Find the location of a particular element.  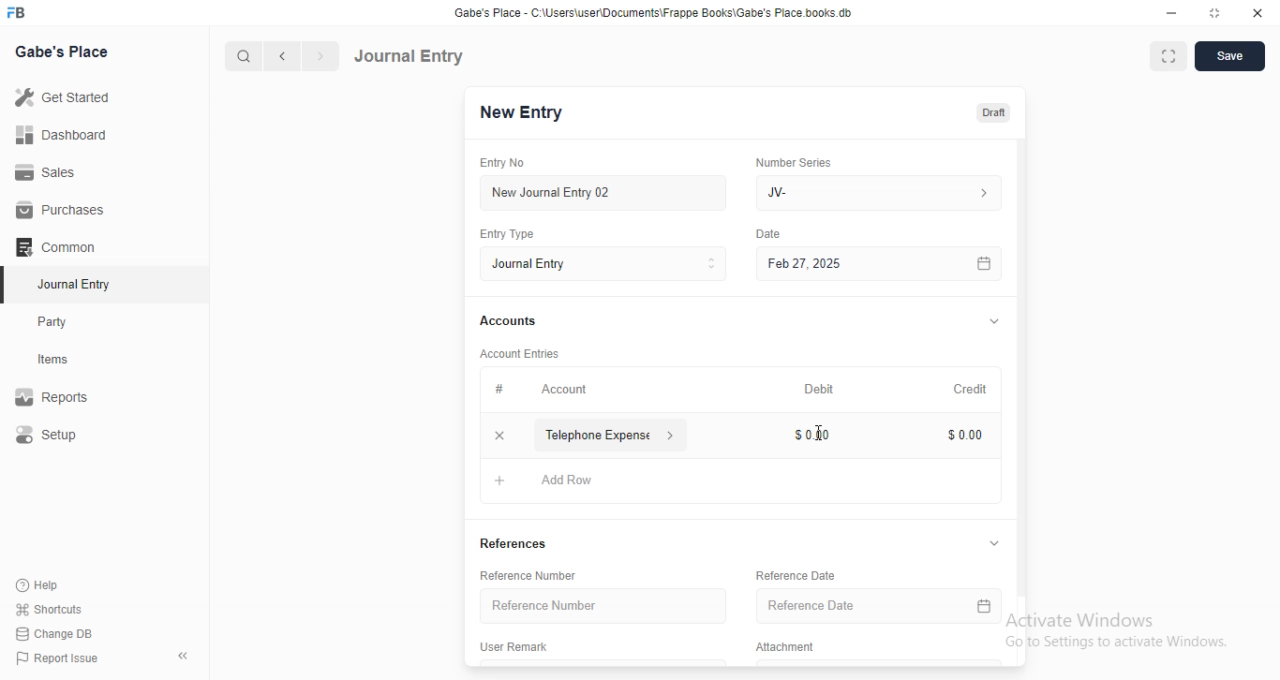

‘Number Series is located at coordinates (794, 162).